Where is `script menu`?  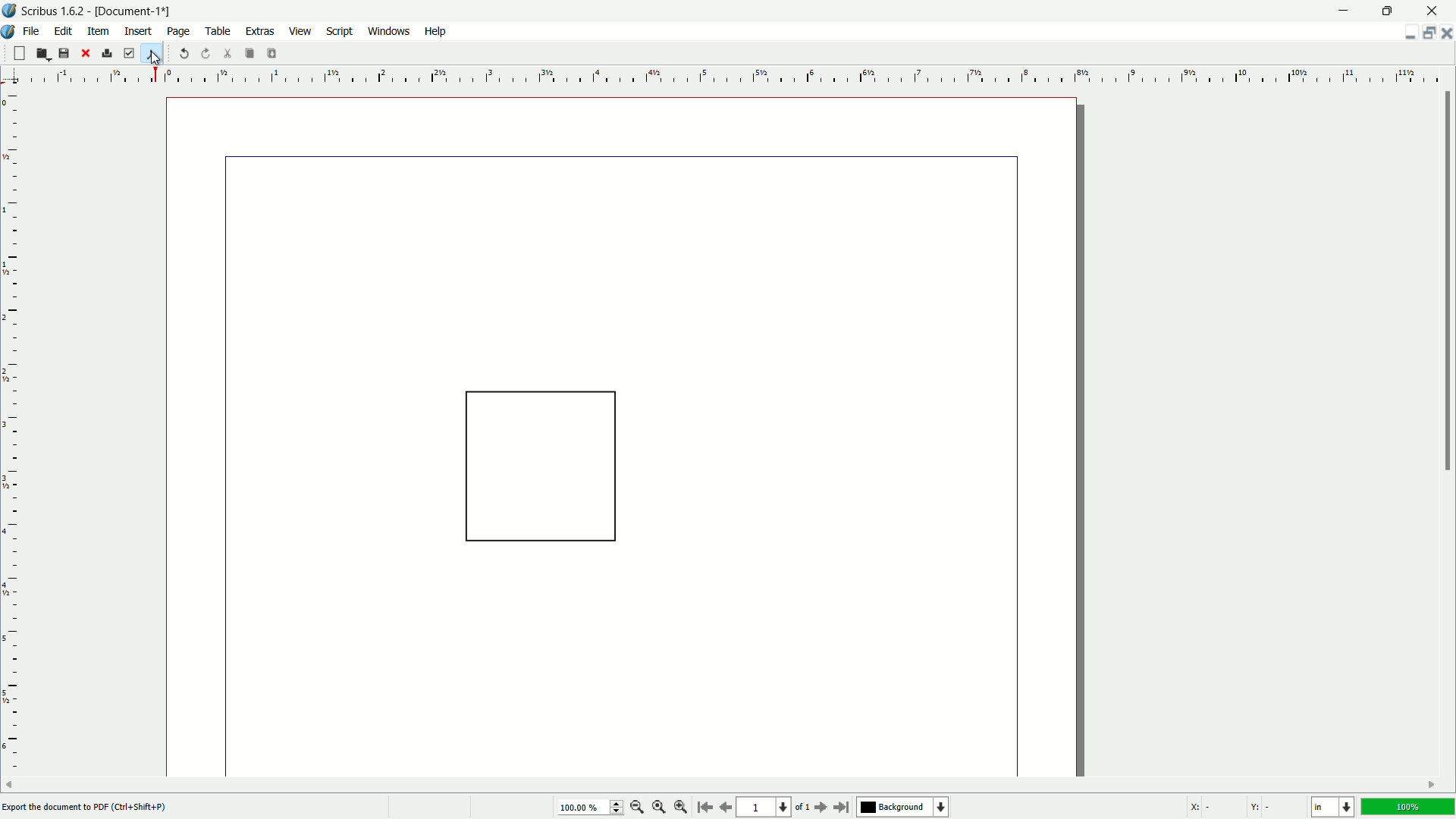
script menu is located at coordinates (340, 32).